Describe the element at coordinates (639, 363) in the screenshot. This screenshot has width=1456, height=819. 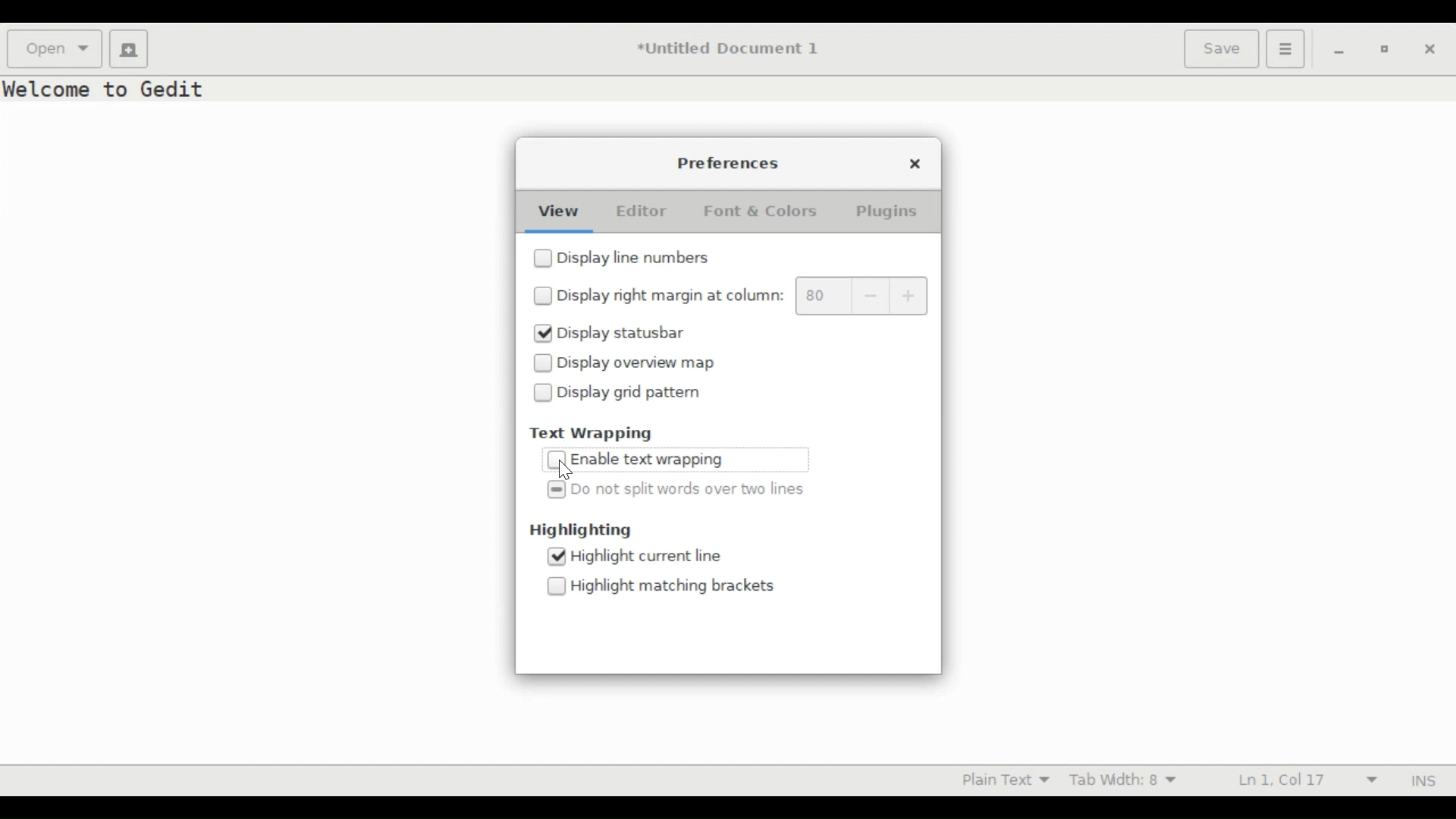
I see `Display overview map` at that location.